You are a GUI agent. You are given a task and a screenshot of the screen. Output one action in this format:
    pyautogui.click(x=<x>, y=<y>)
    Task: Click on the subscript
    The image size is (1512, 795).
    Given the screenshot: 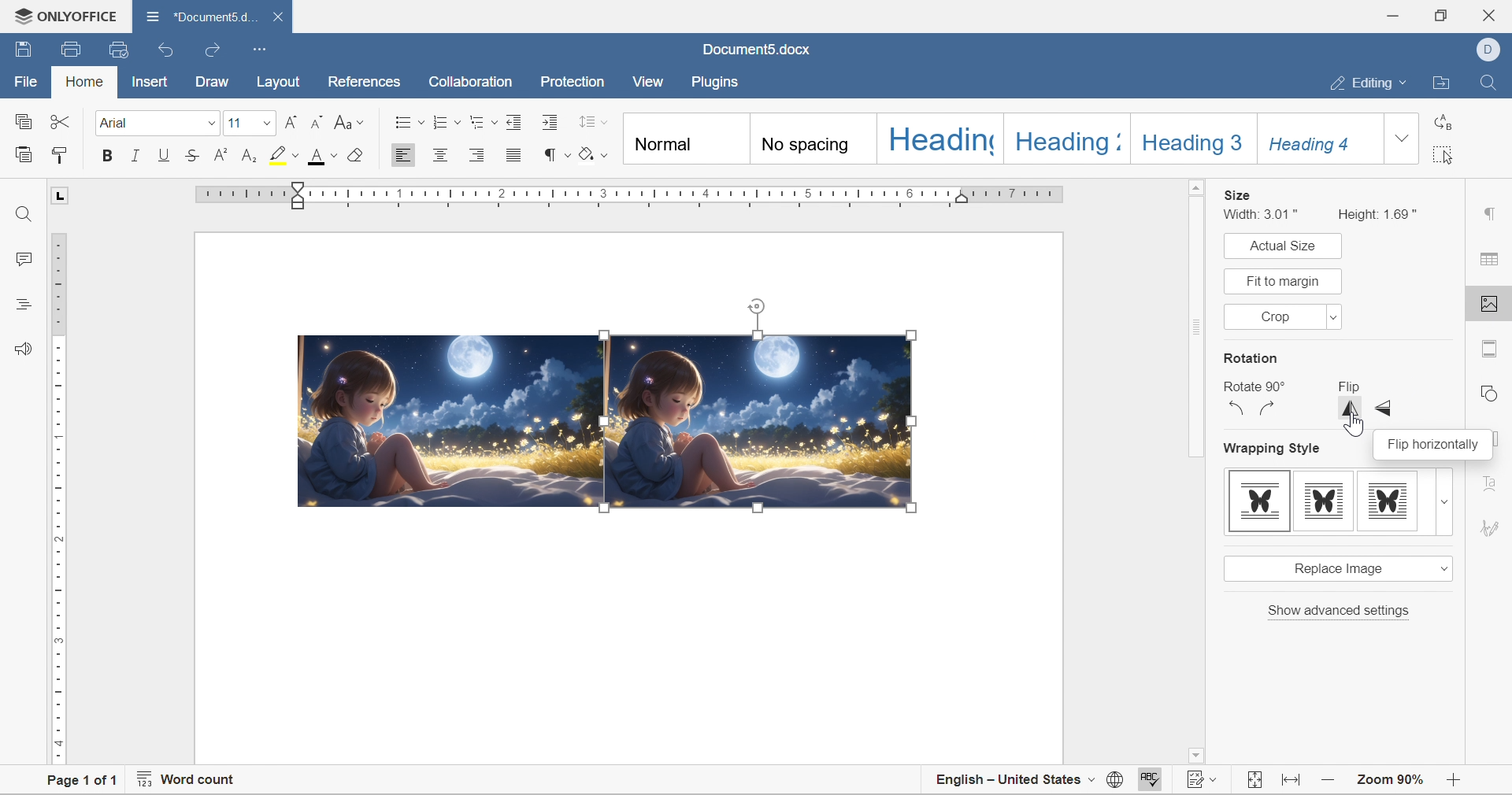 What is the action you would take?
    pyautogui.click(x=250, y=156)
    